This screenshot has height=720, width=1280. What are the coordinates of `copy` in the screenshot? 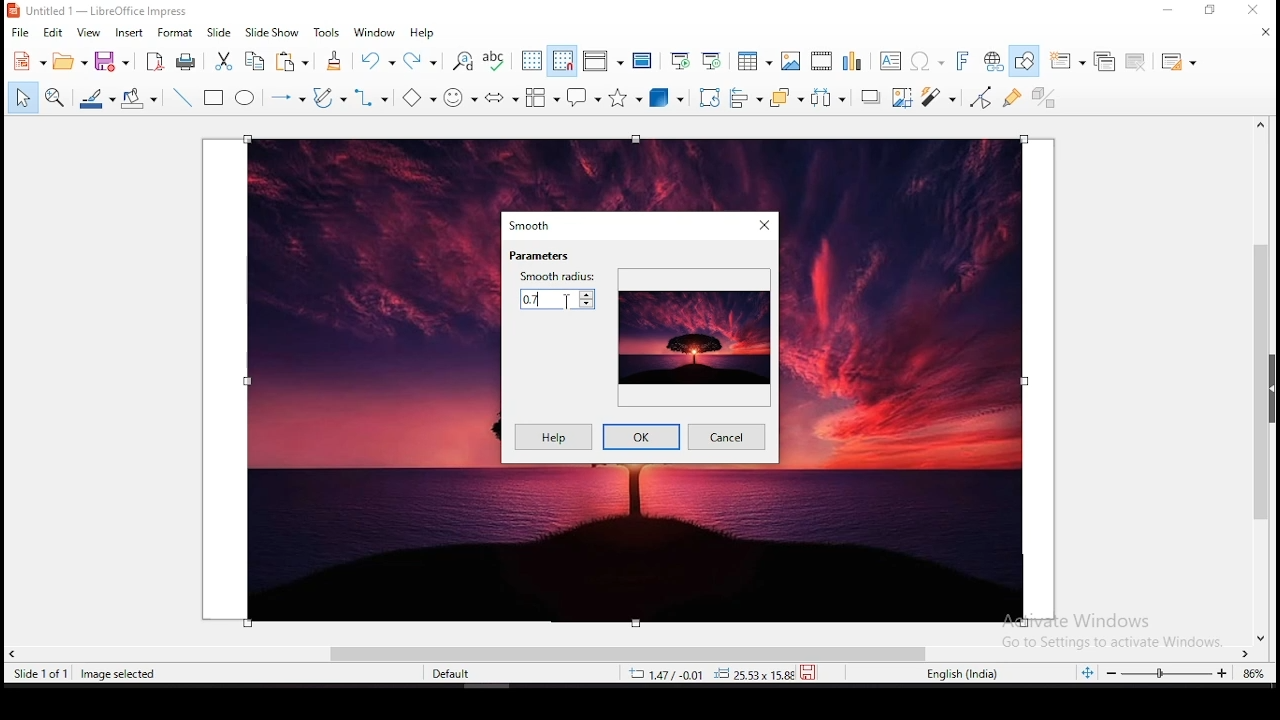 It's located at (289, 61).